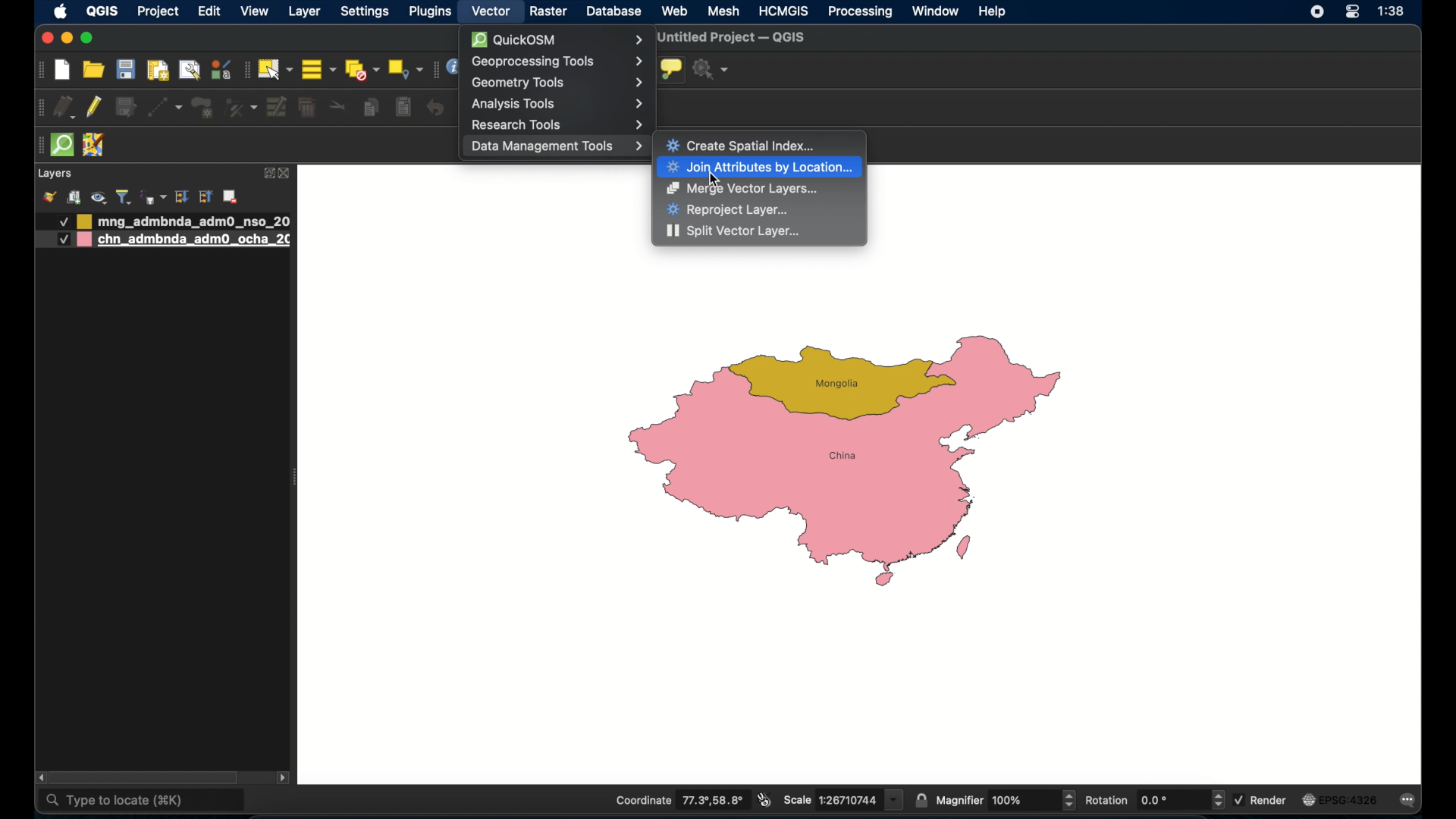 This screenshot has width=1456, height=819. Describe the element at coordinates (843, 799) in the screenshot. I see `scale` at that location.